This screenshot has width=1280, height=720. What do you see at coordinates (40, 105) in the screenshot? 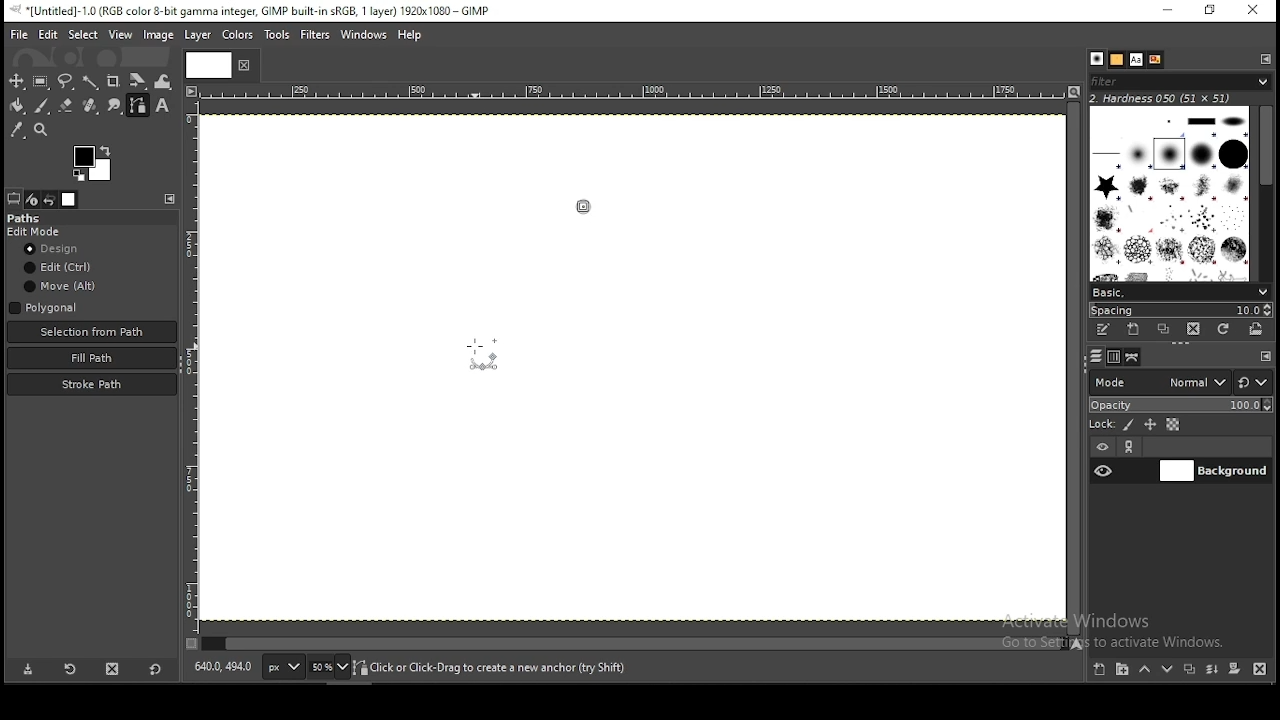
I see `paintbrush tool` at bounding box center [40, 105].